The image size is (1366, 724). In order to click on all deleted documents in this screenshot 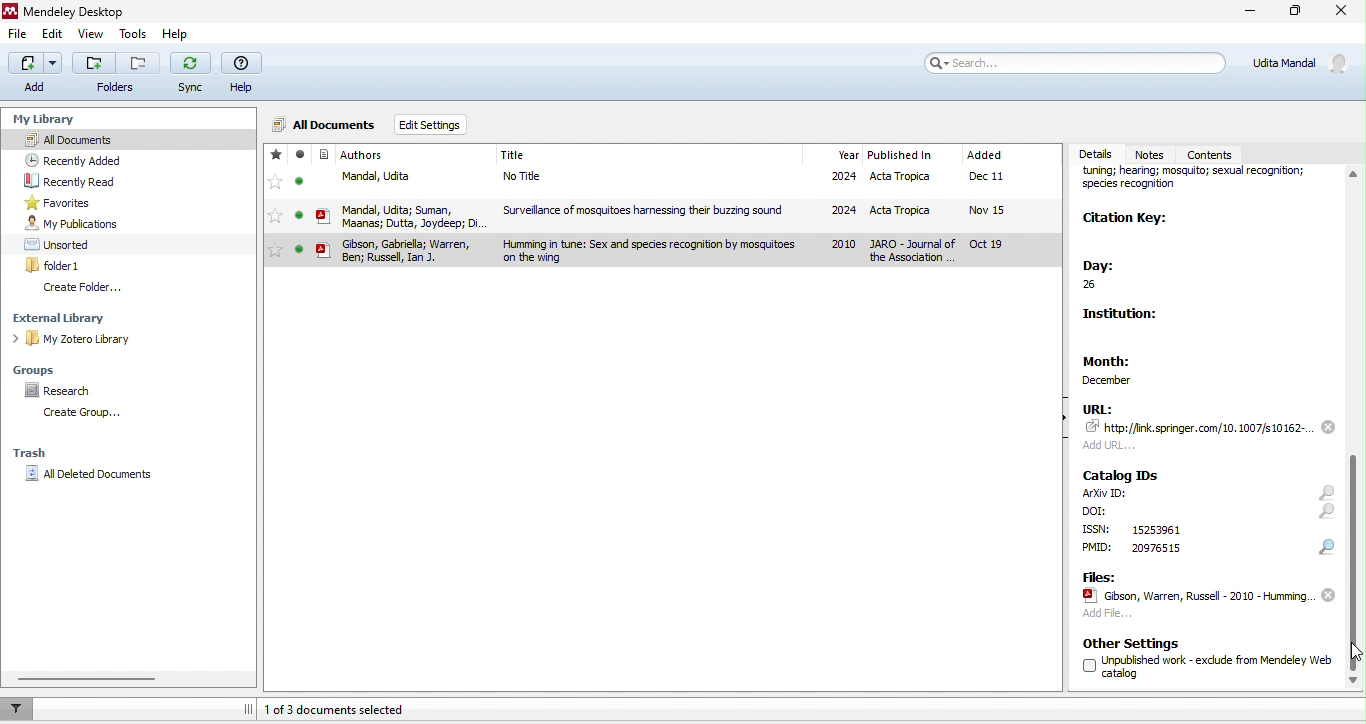, I will do `click(94, 475)`.